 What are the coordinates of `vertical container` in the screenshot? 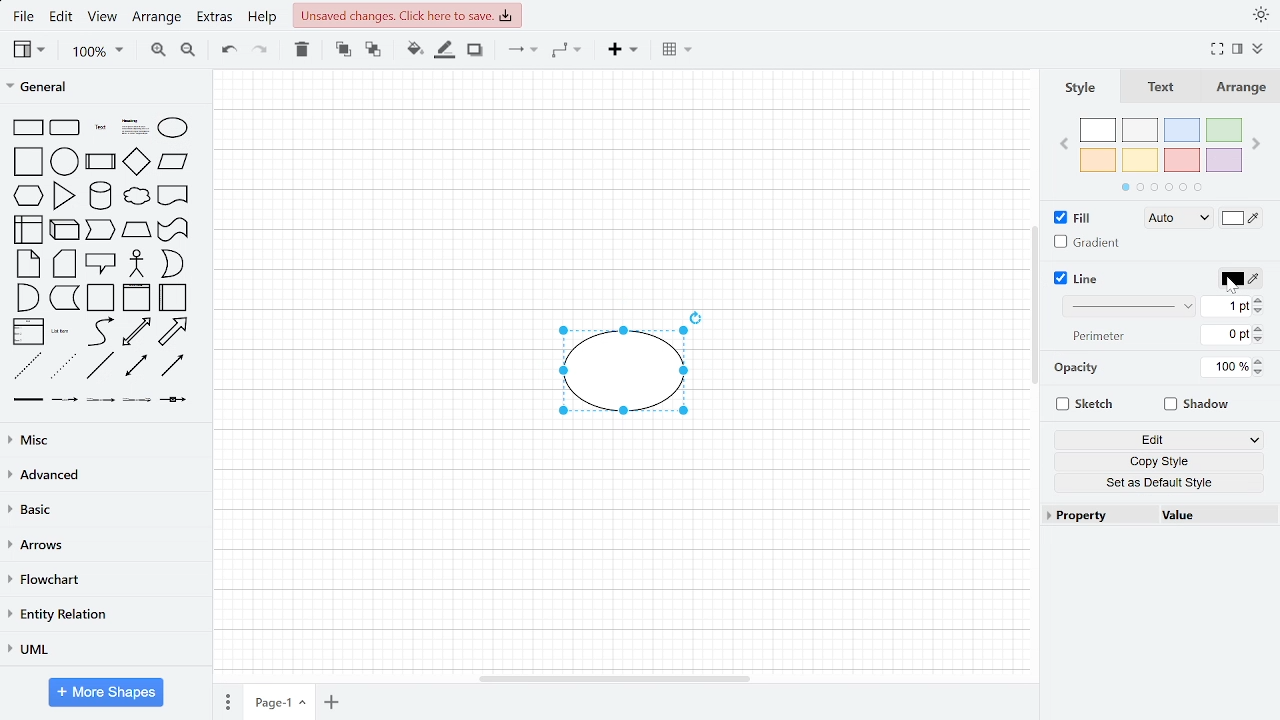 It's located at (136, 298).